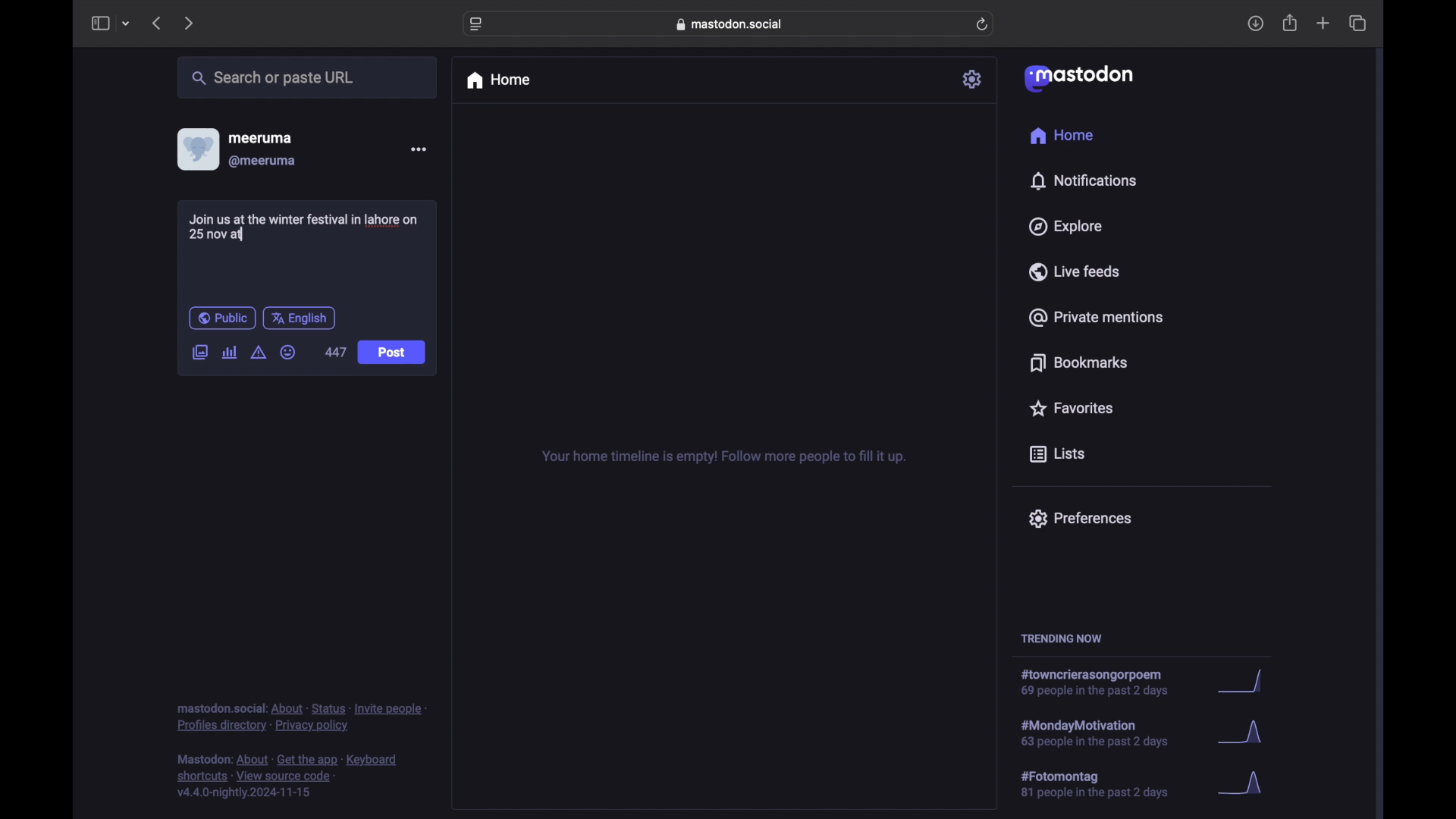  Describe the element at coordinates (1057, 455) in the screenshot. I see `lists` at that location.